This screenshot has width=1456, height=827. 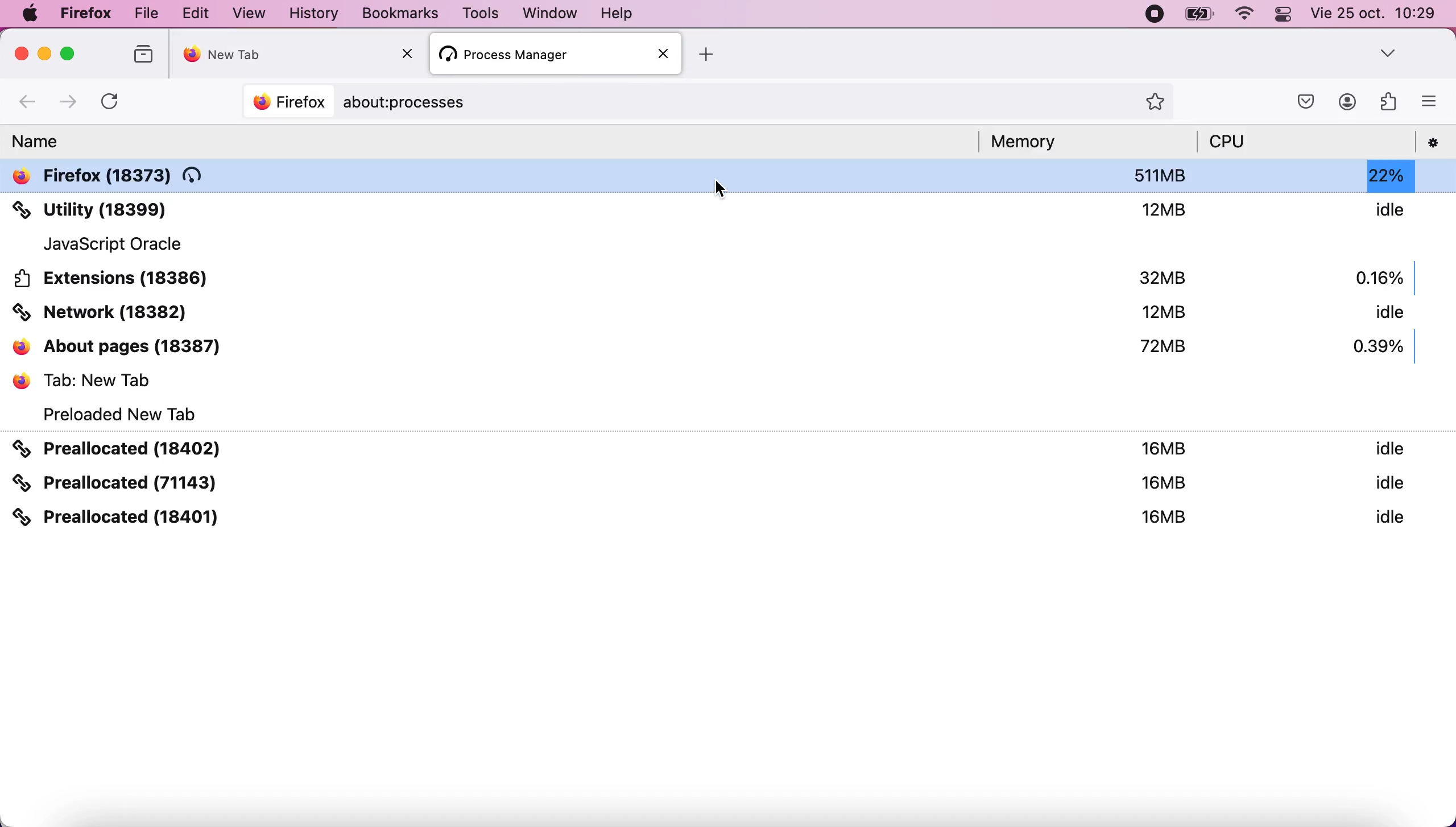 What do you see at coordinates (729, 379) in the screenshot?
I see `Tab: New Tab` at bounding box center [729, 379].